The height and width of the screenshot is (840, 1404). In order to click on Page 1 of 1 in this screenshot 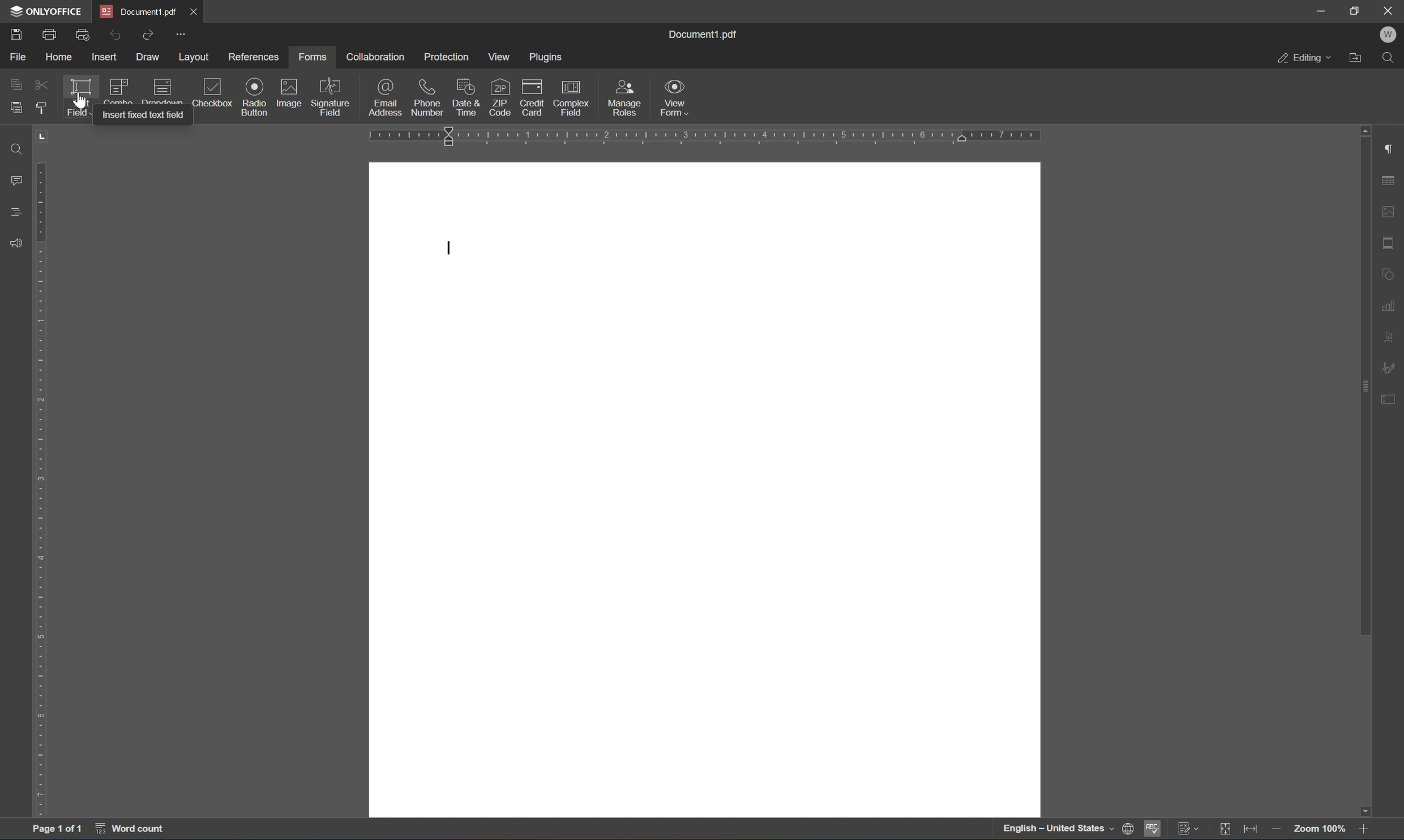, I will do `click(58, 830)`.